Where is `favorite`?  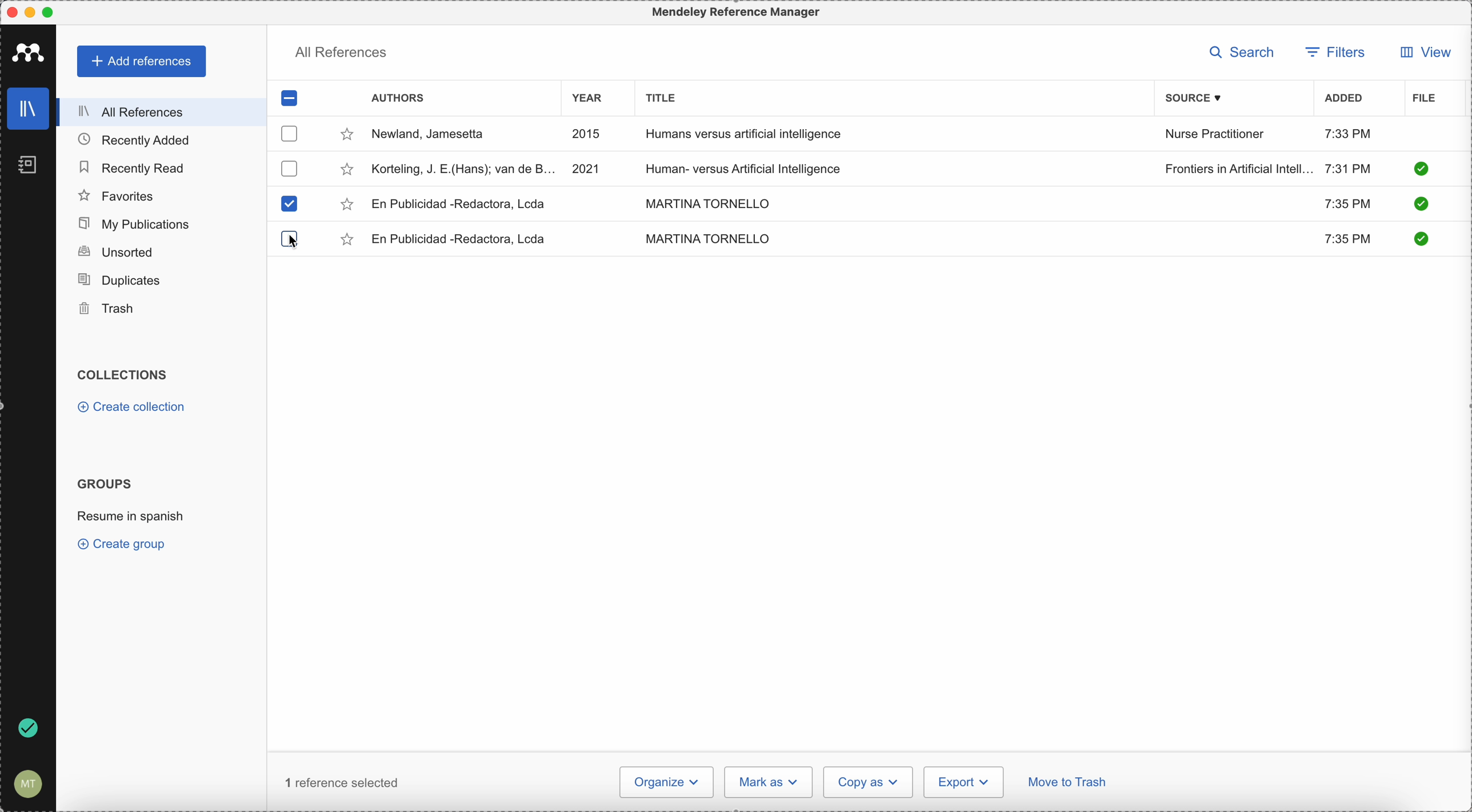 favorite is located at coordinates (347, 171).